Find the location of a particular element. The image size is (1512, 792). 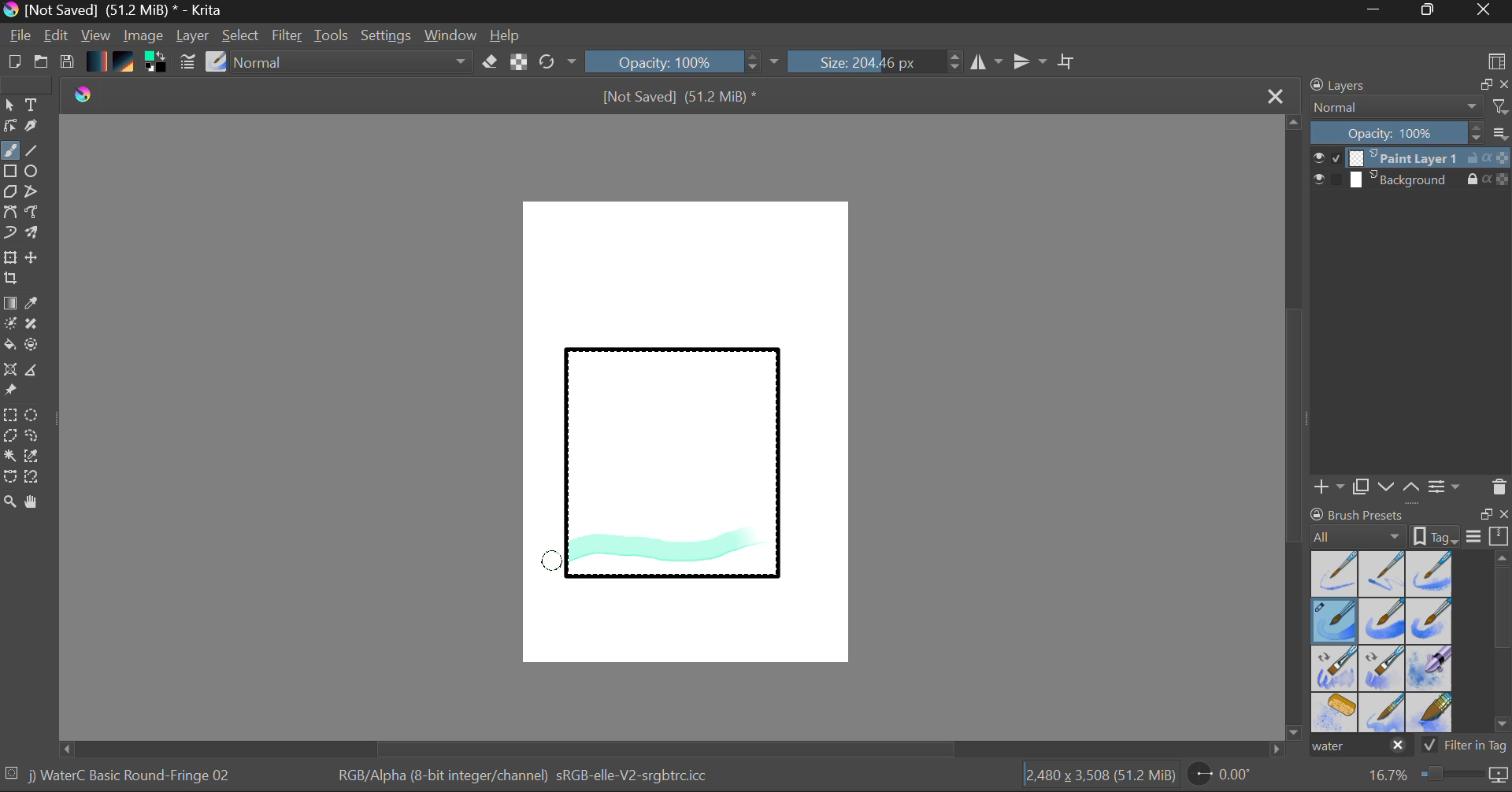

Save is located at coordinates (66, 63).